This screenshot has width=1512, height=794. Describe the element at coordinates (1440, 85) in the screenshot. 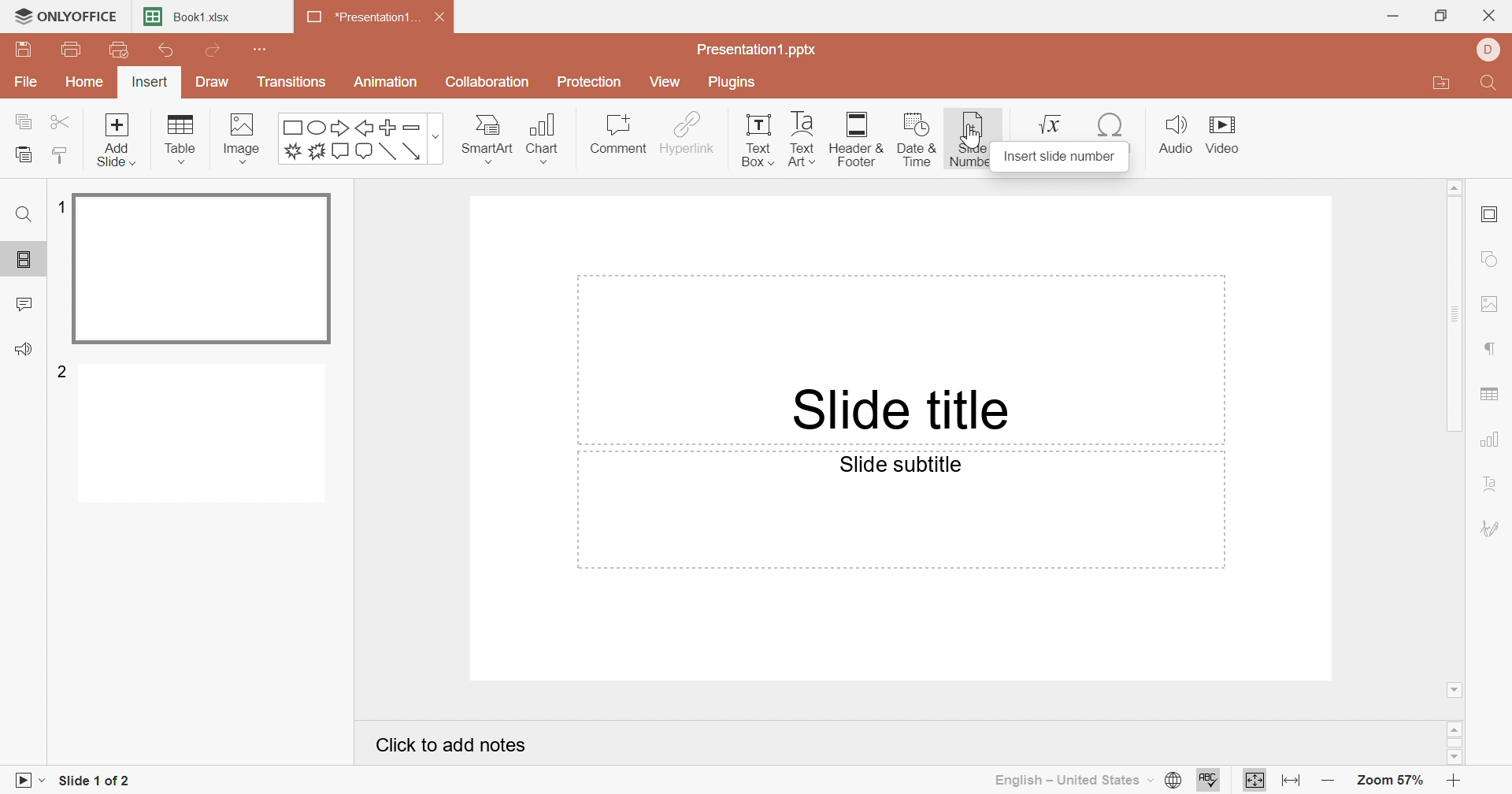

I see `Open file location` at that location.